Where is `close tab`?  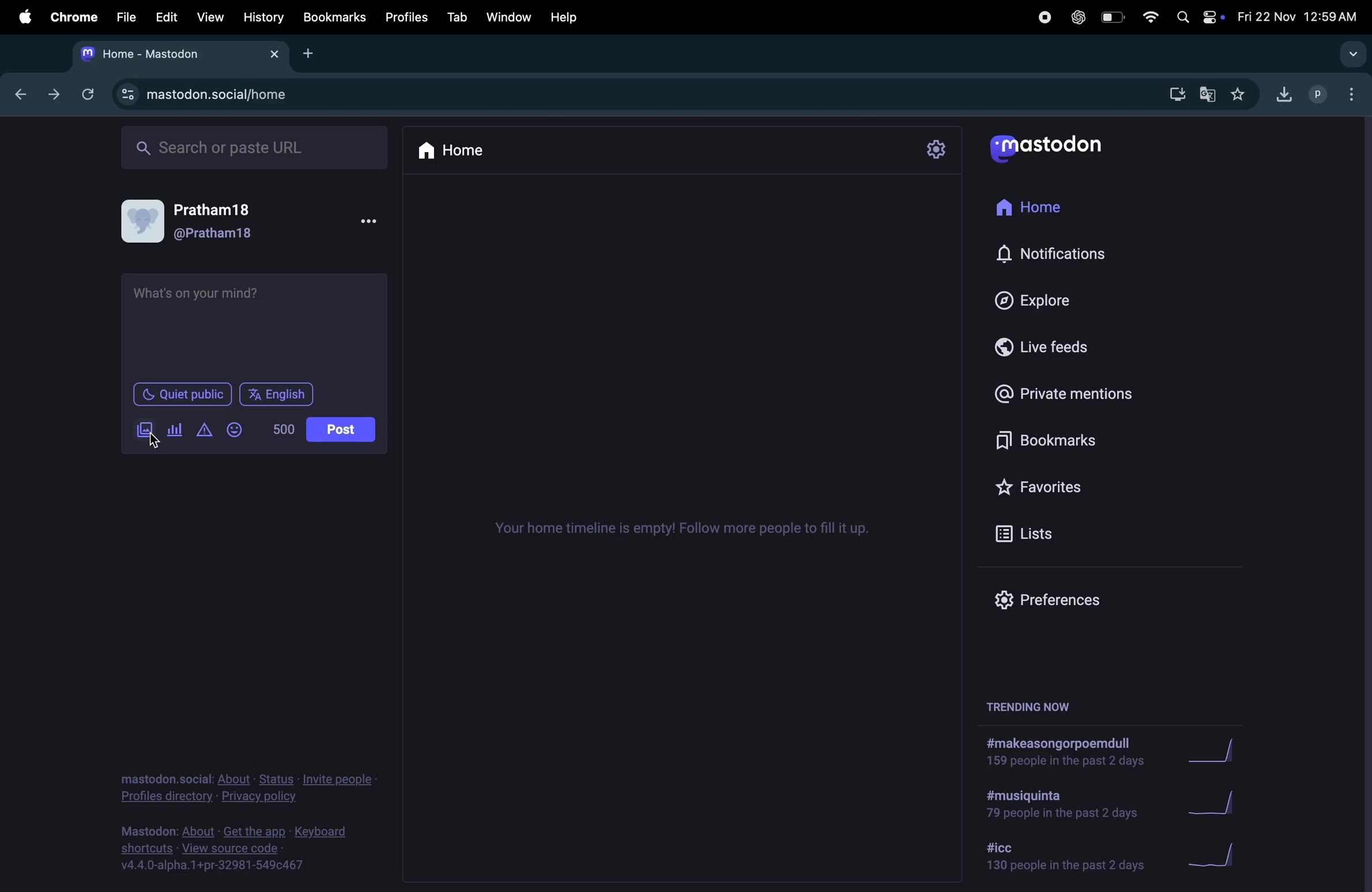 close tab is located at coordinates (277, 53).